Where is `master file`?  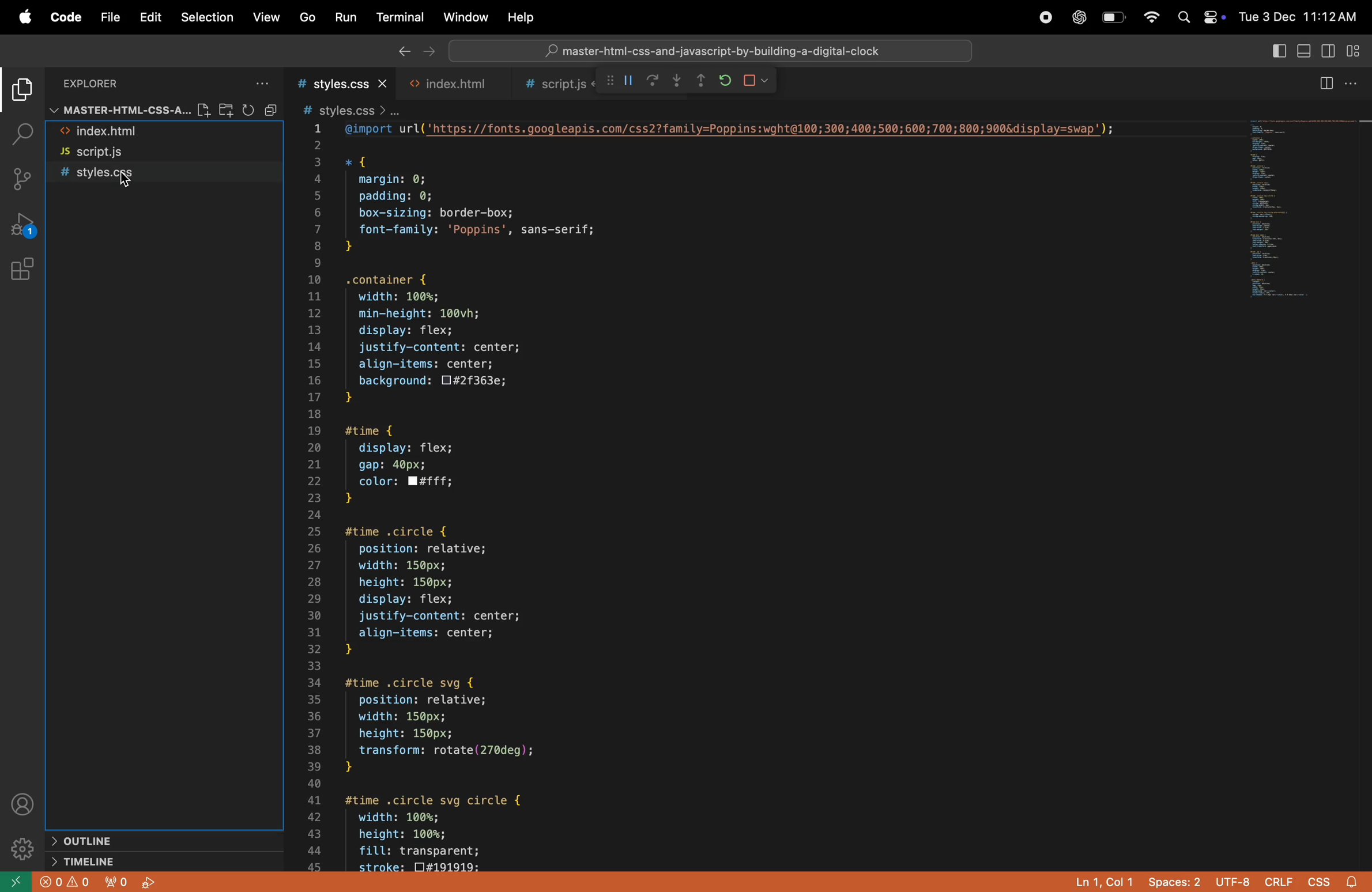
master file is located at coordinates (109, 110).